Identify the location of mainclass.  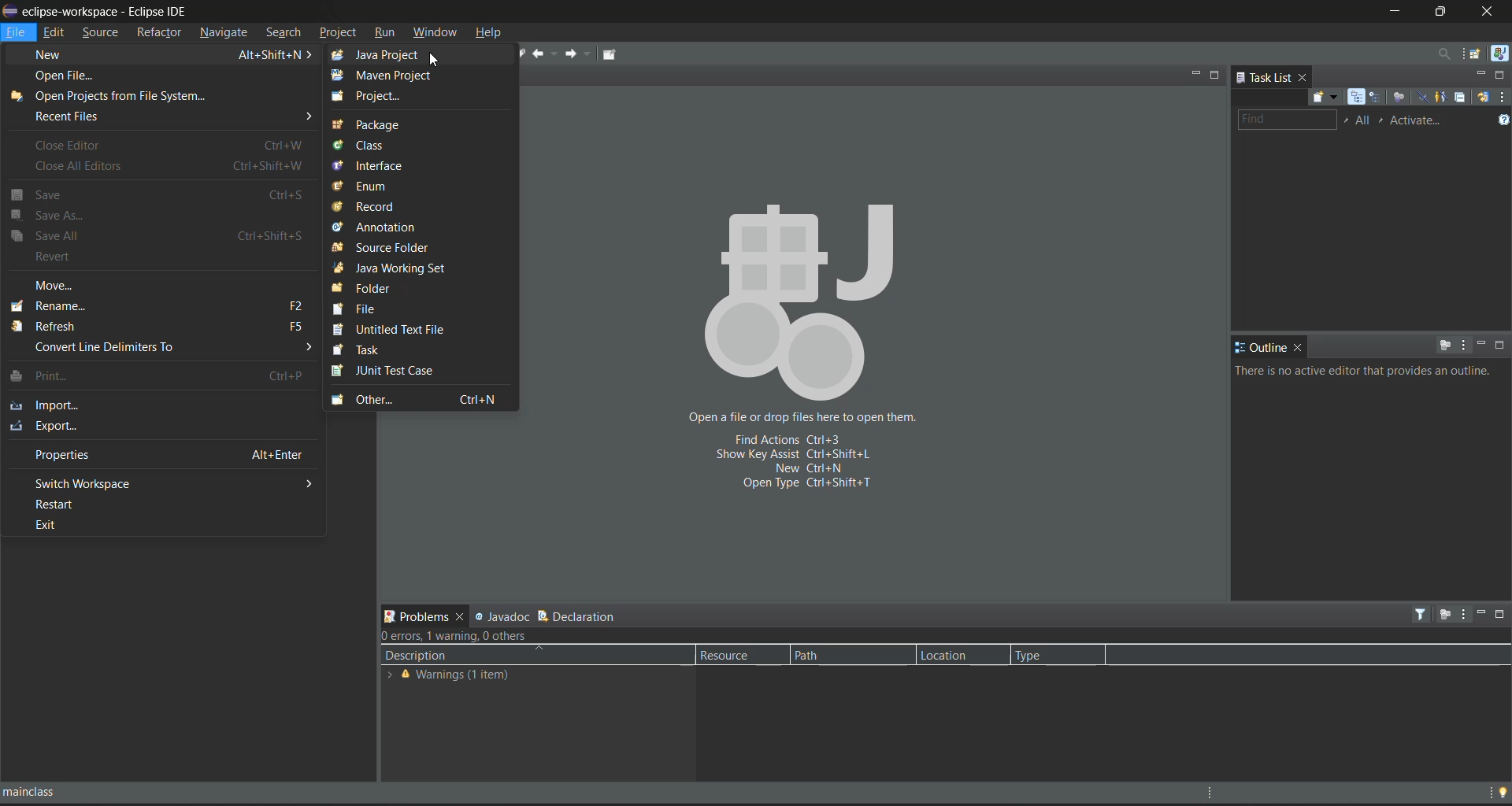
(48, 792).